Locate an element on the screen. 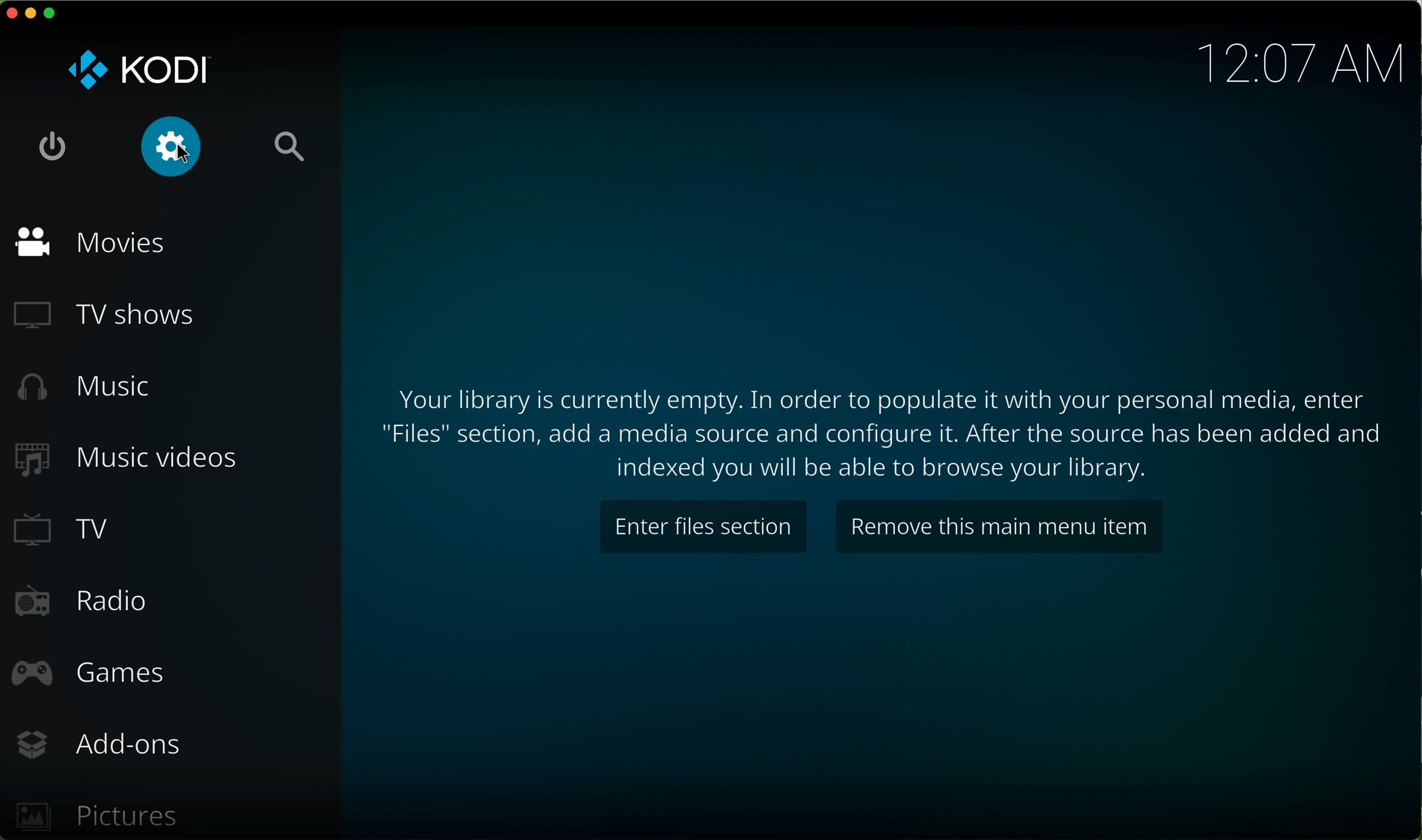 The height and width of the screenshot is (840, 1422). games is located at coordinates (91, 674).